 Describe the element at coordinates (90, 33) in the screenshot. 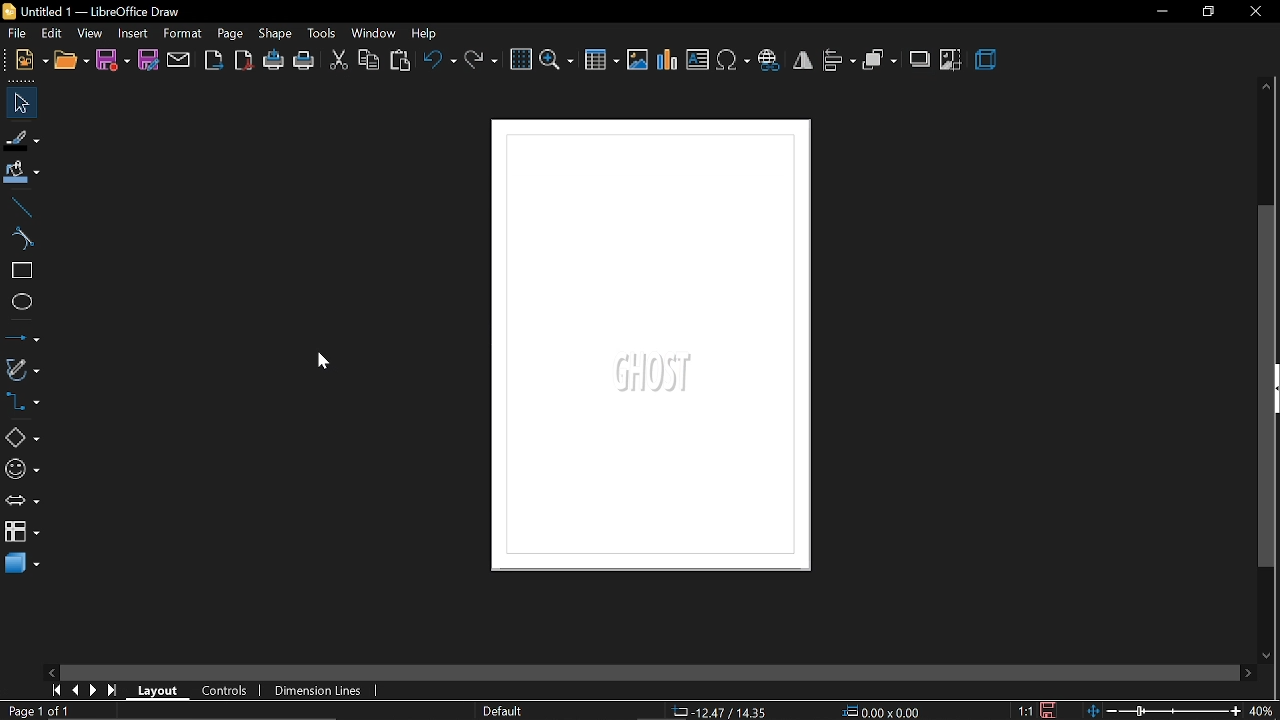

I see `view` at that location.